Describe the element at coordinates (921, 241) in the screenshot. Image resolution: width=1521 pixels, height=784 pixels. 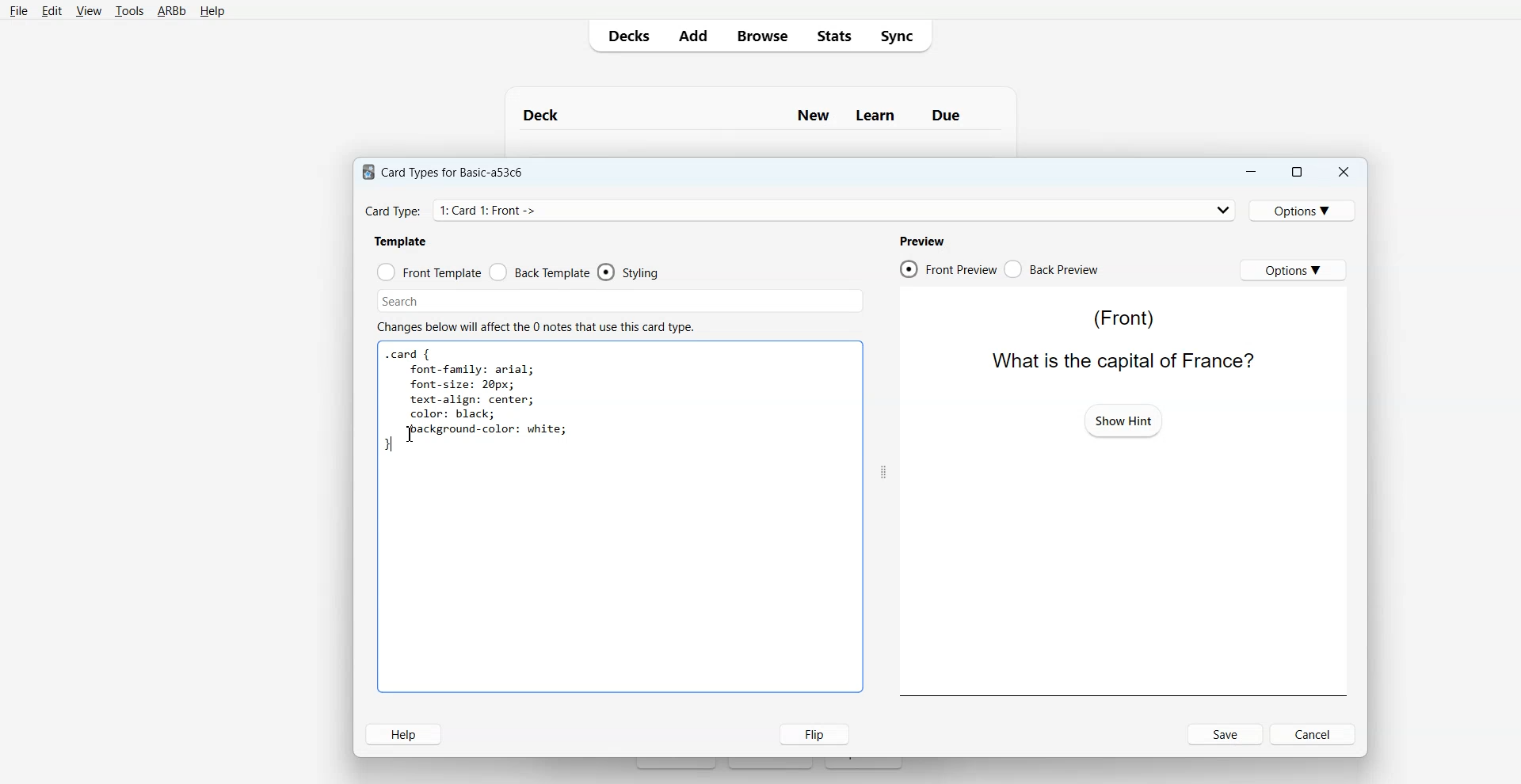
I see `Preview` at that location.